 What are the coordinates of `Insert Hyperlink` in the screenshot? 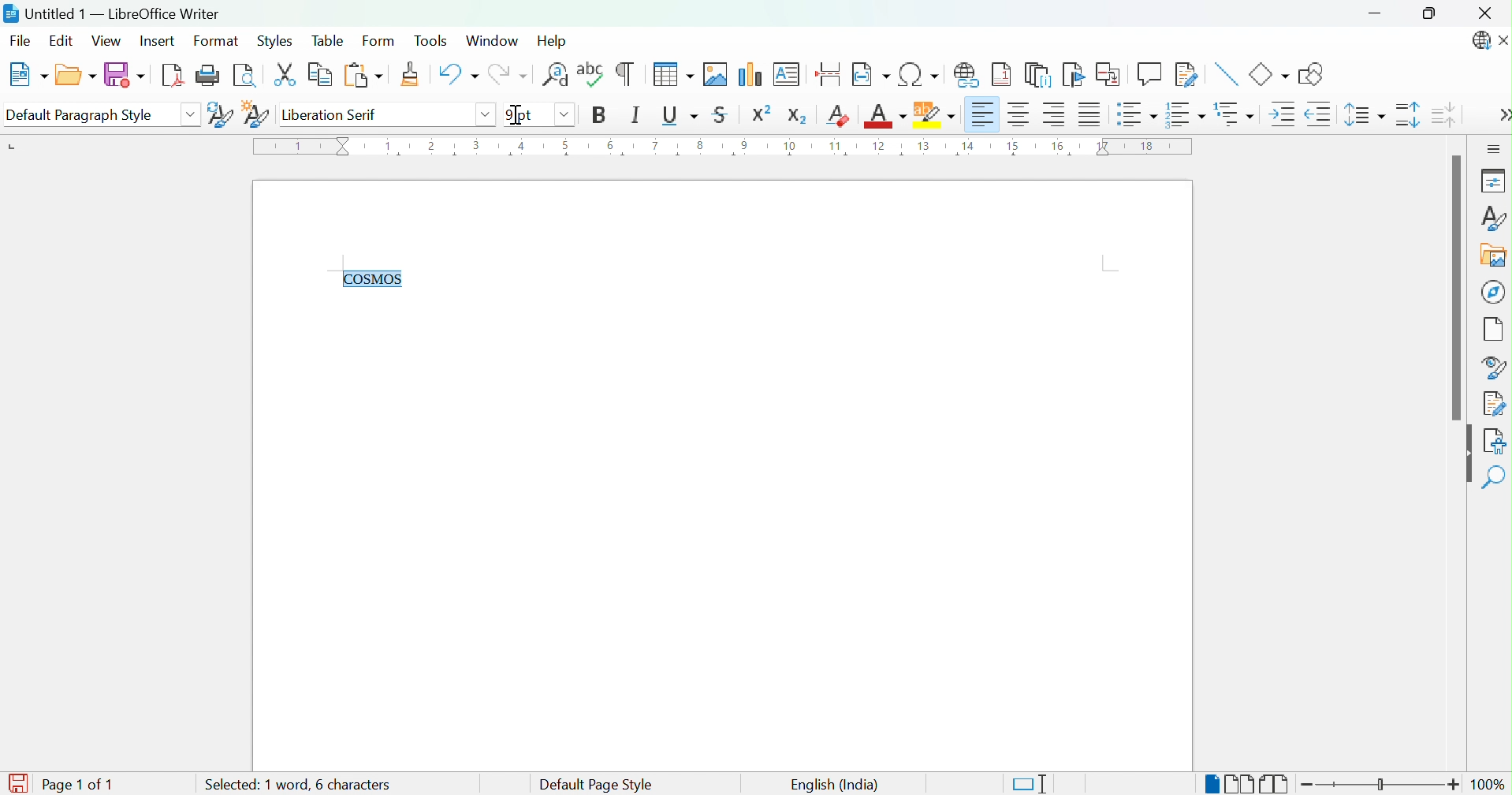 It's located at (968, 73).